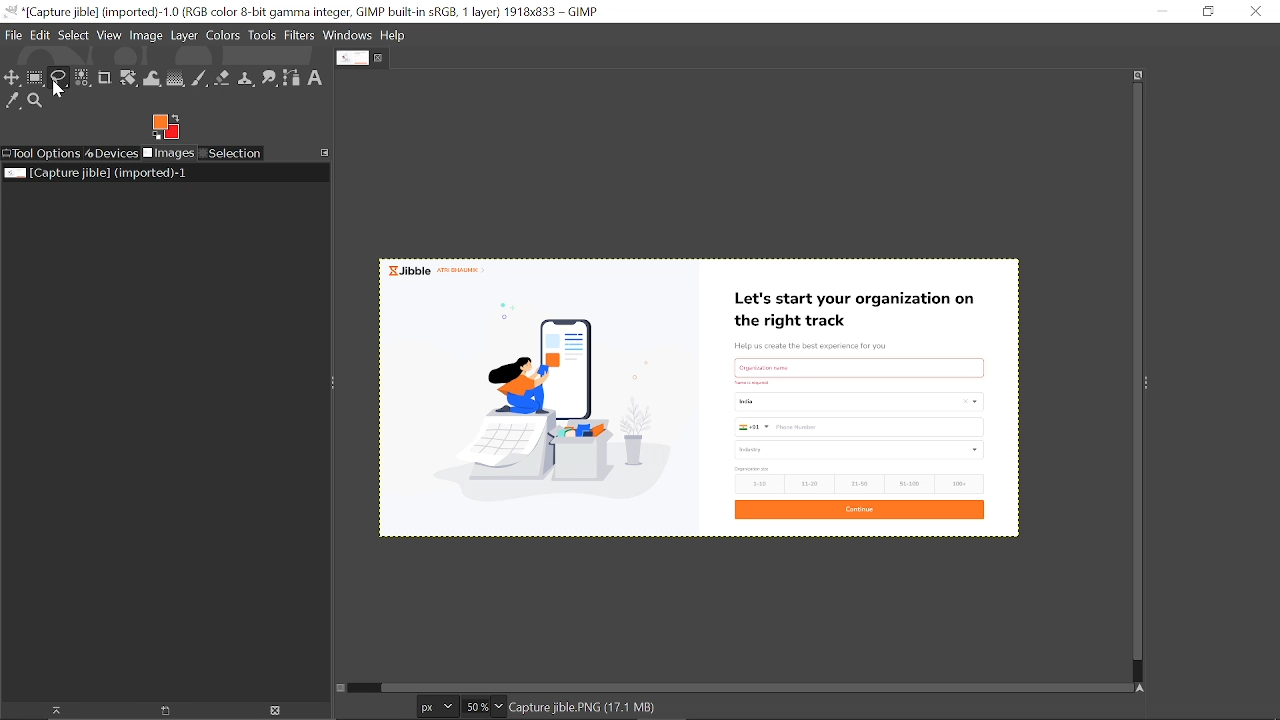 Image resolution: width=1280 pixels, height=720 pixels. I want to click on Clone tool, so click(245, 80).